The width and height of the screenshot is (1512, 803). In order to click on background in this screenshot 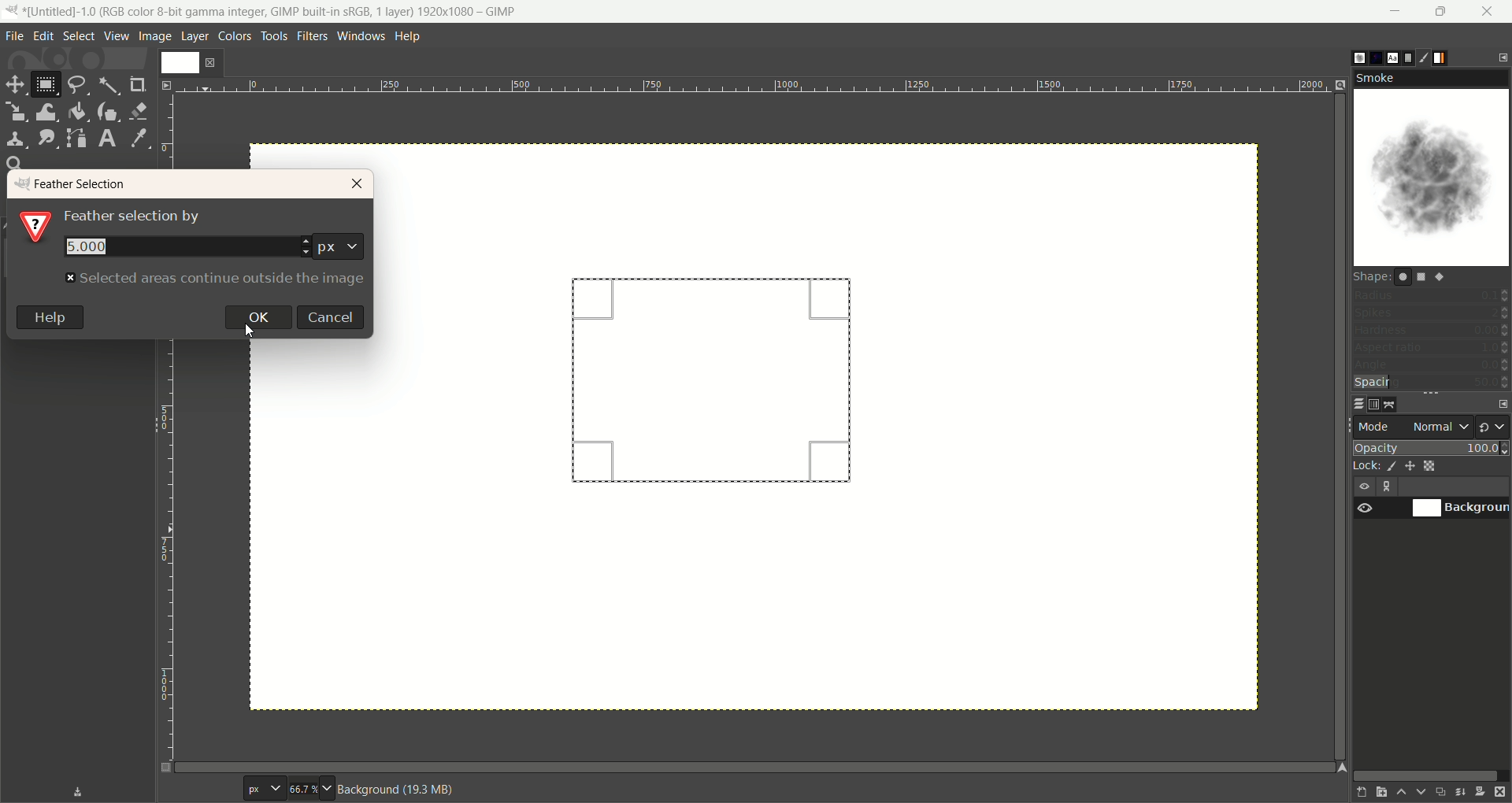, I will do `click(399, 790)`.